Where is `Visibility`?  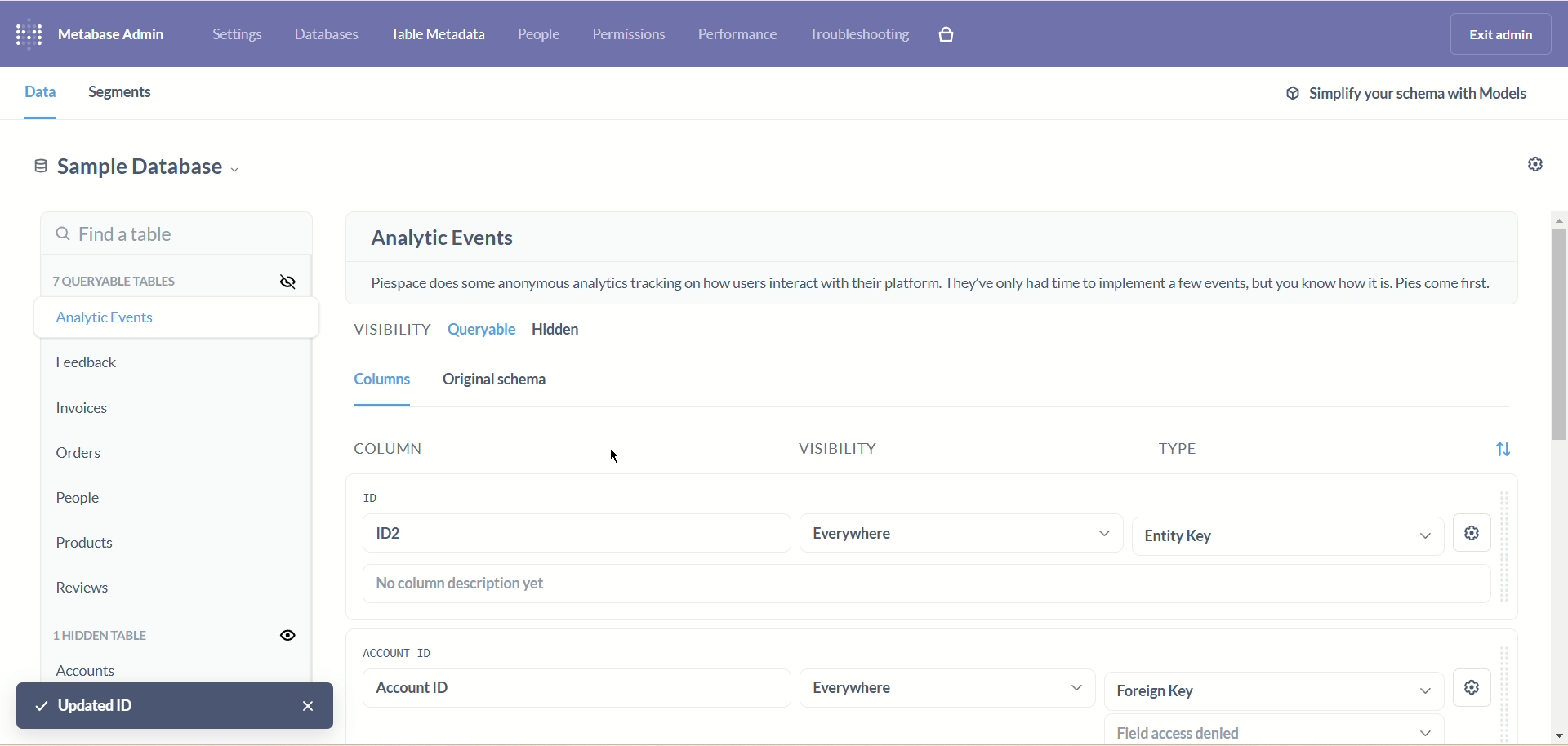 Visibility is located at coordinates (385, 331).